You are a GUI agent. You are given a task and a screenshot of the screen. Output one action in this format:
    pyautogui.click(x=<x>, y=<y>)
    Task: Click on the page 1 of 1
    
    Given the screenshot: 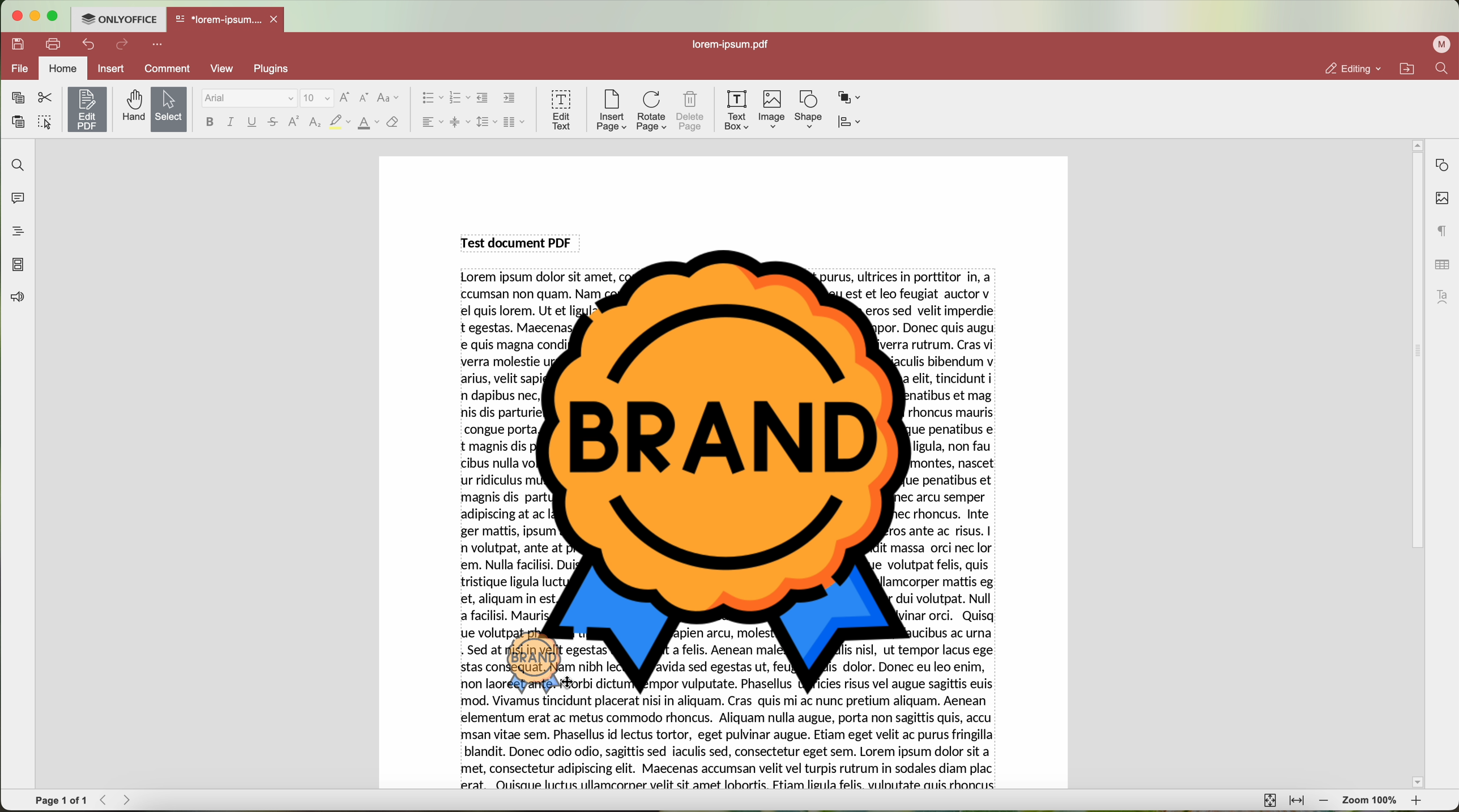 What is the action you would take?
    pyautogui.click(x=61, y=801)
    